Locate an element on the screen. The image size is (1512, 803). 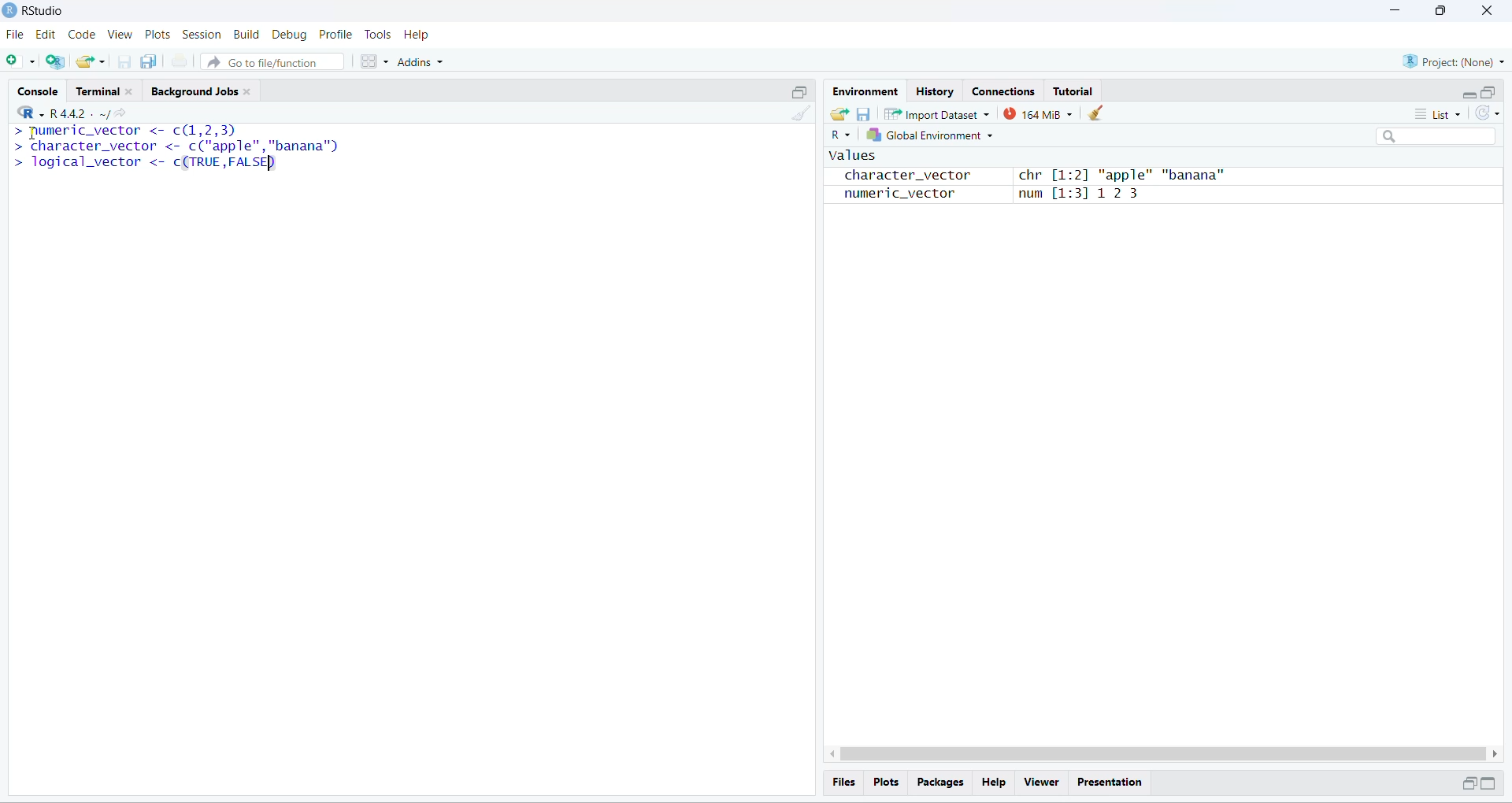
minimize is located at coordinates (1466, 783).